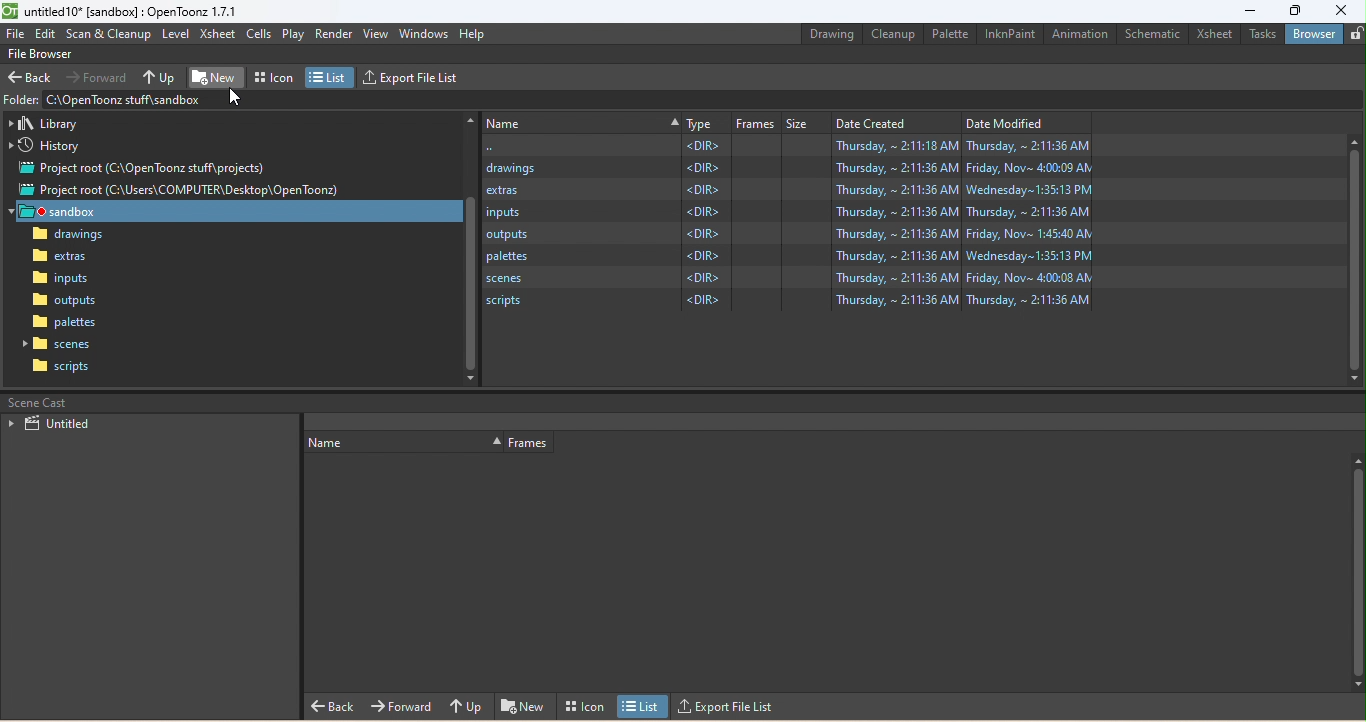 The image size is (1366, 722). What do you see at coordinates (890, 35) in the screenshot?
I see `Cleanup` at bounding box center [890, 35].